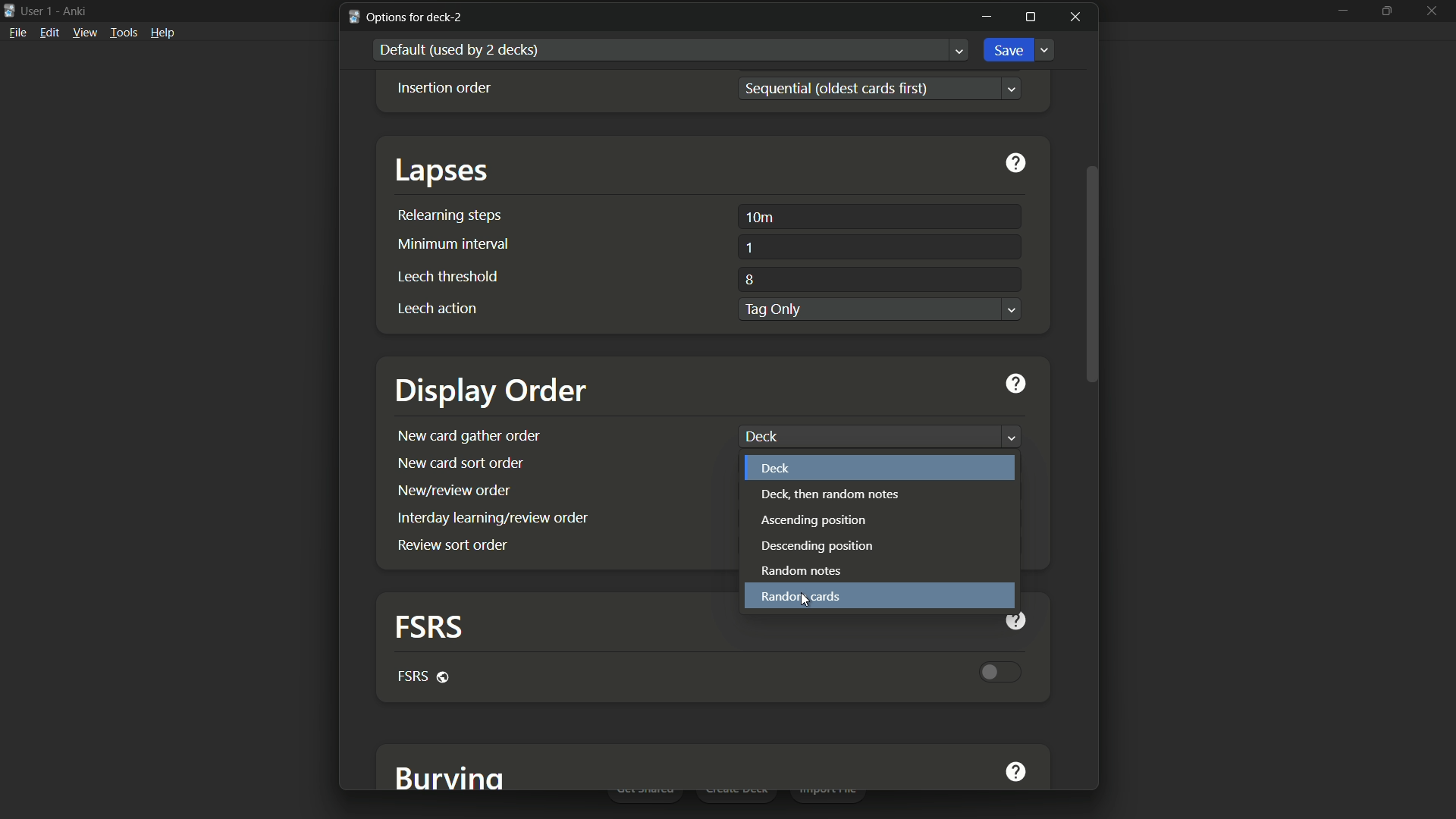 The height and width of the screenshot is (819, 1456). Describe the element at coordinates (759, 436) in the screenshot. I see `deck` at that location.